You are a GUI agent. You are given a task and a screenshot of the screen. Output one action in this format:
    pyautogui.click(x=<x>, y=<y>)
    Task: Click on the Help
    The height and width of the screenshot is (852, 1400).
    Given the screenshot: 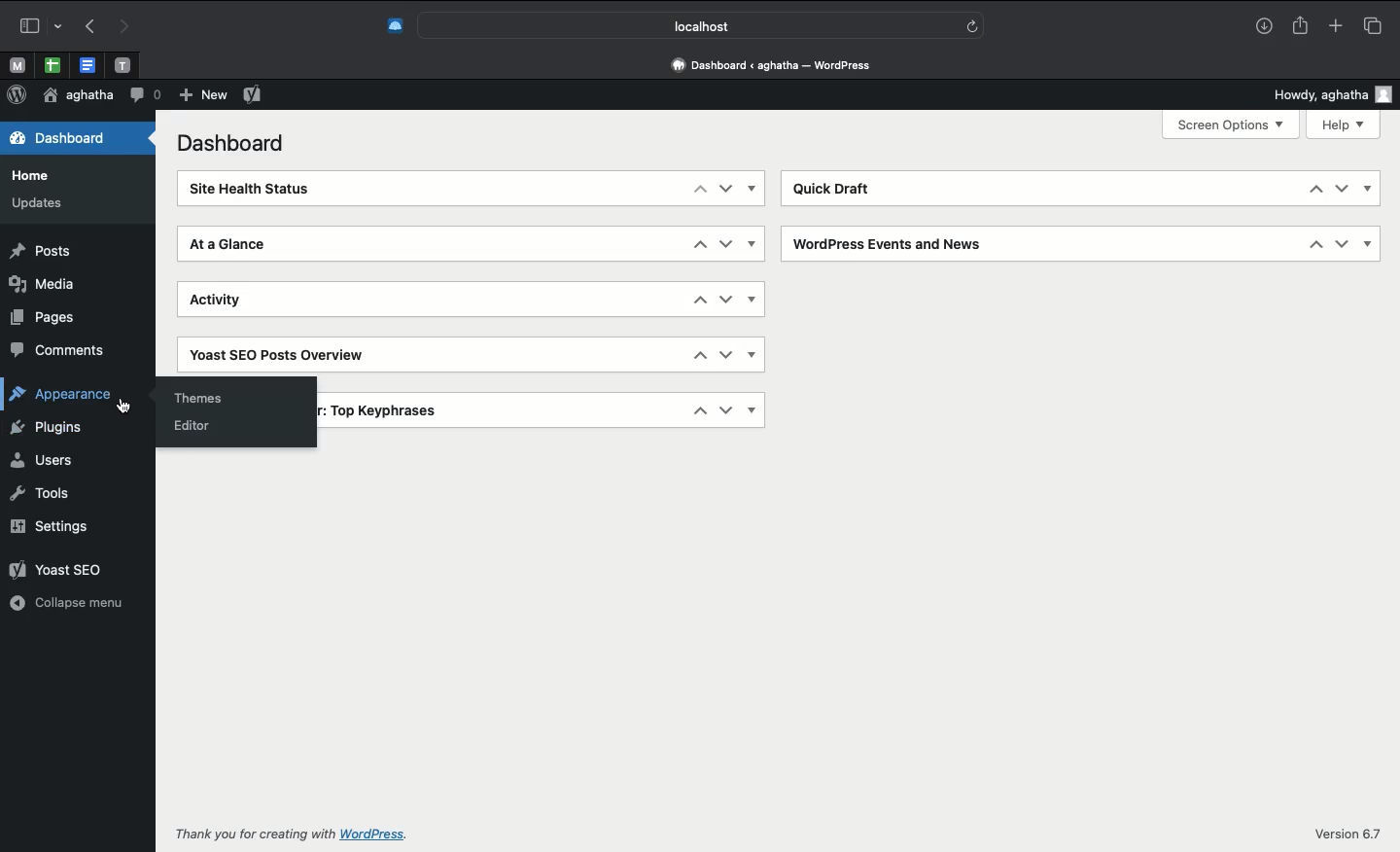 What is the action you would take?
    pyautogui.click(x=1346, y=124)
    